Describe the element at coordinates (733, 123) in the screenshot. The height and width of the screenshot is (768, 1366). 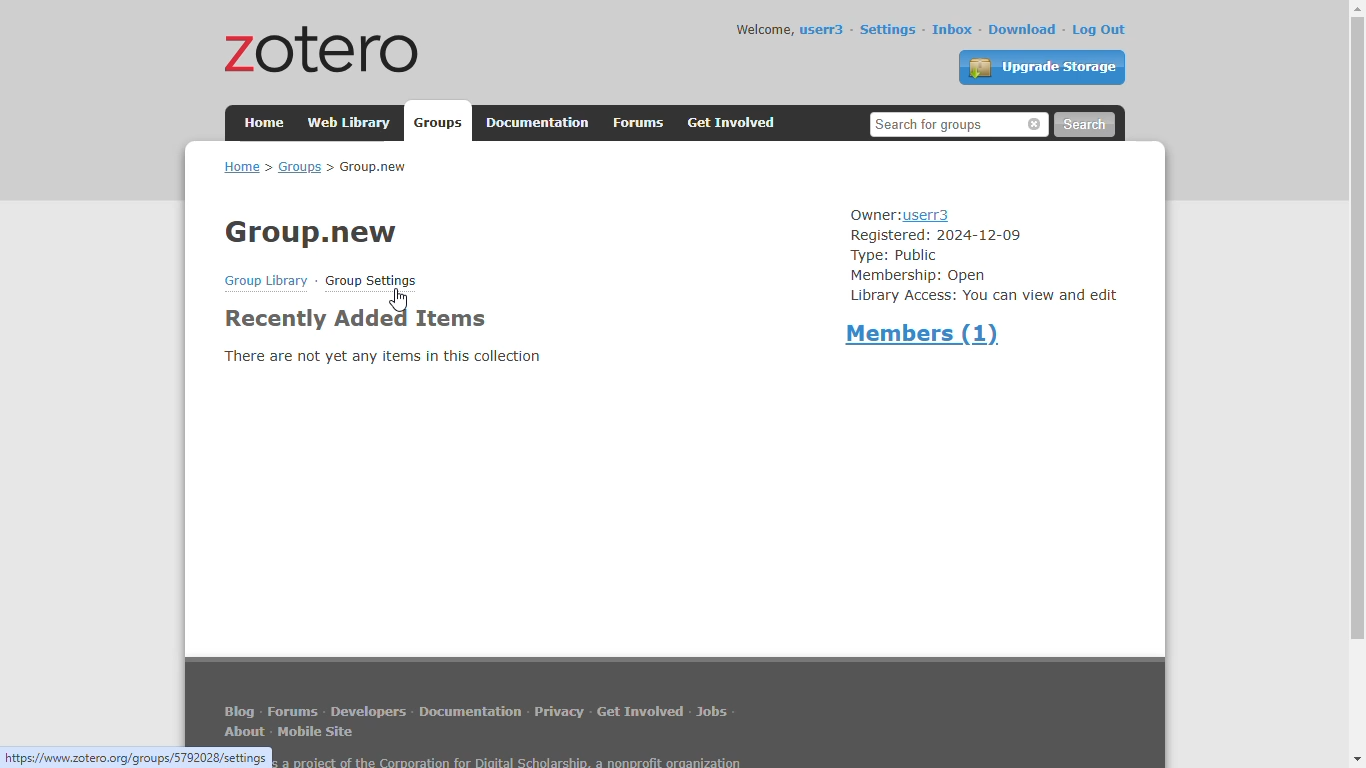
I see `get involved` at that location.